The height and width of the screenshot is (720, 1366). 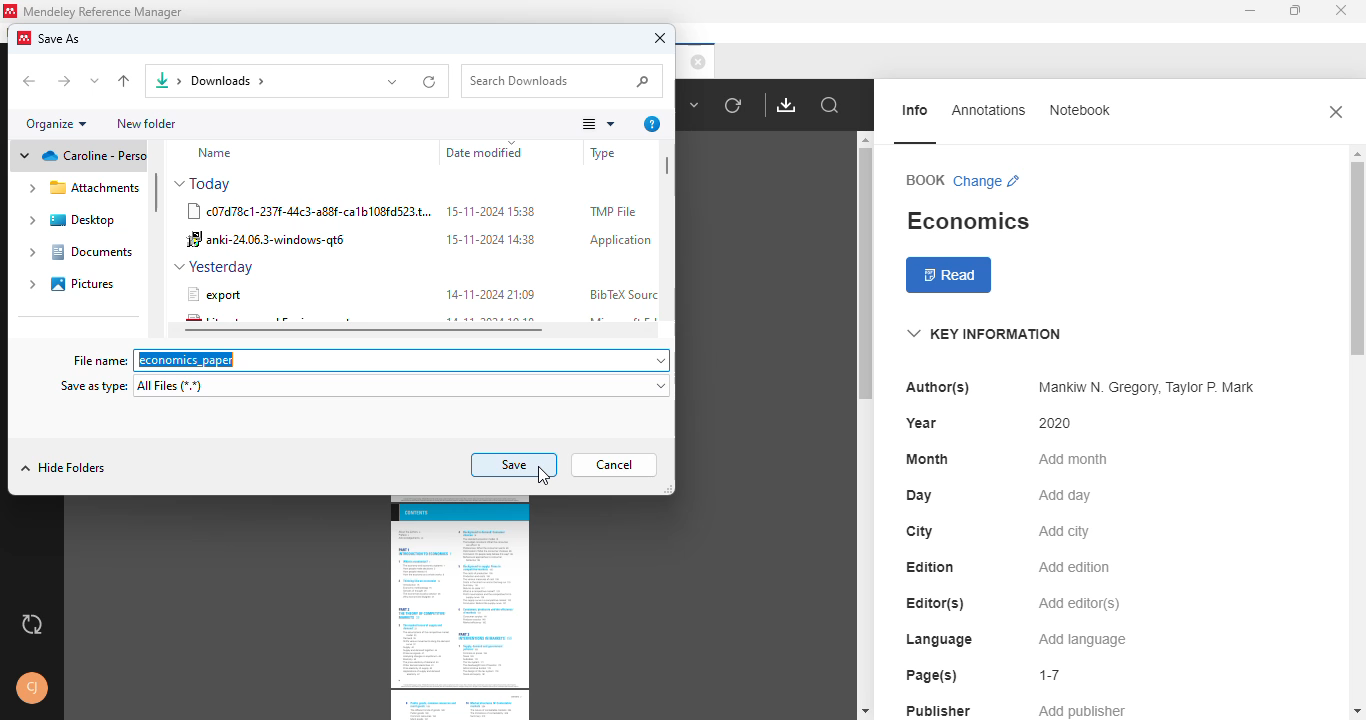 What do you see at coordinates (931, 675) in the screenshot?
I see `page(s)` at bounding box center [931, 675].